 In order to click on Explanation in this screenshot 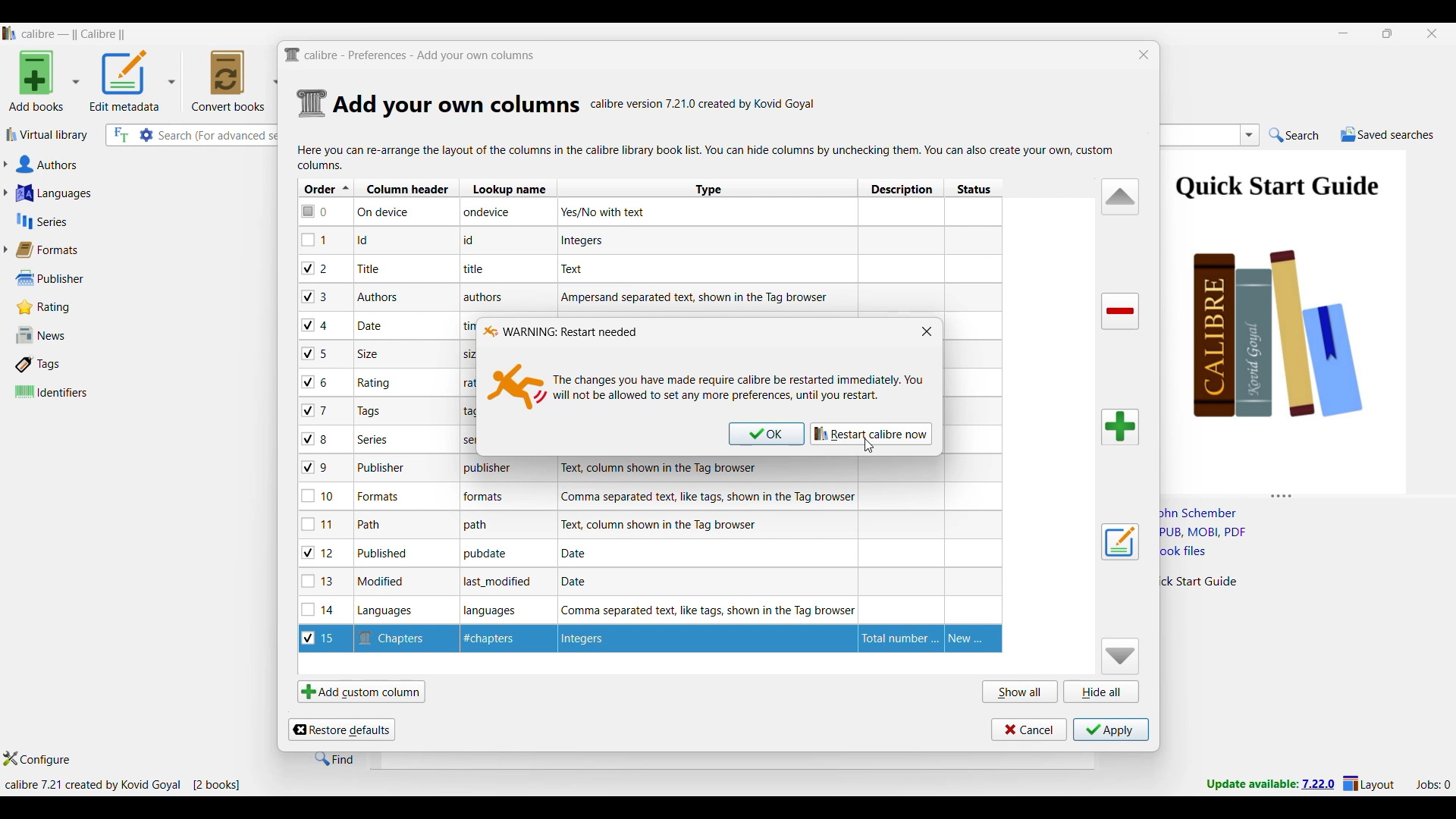, I will do `click(585, 241)`.